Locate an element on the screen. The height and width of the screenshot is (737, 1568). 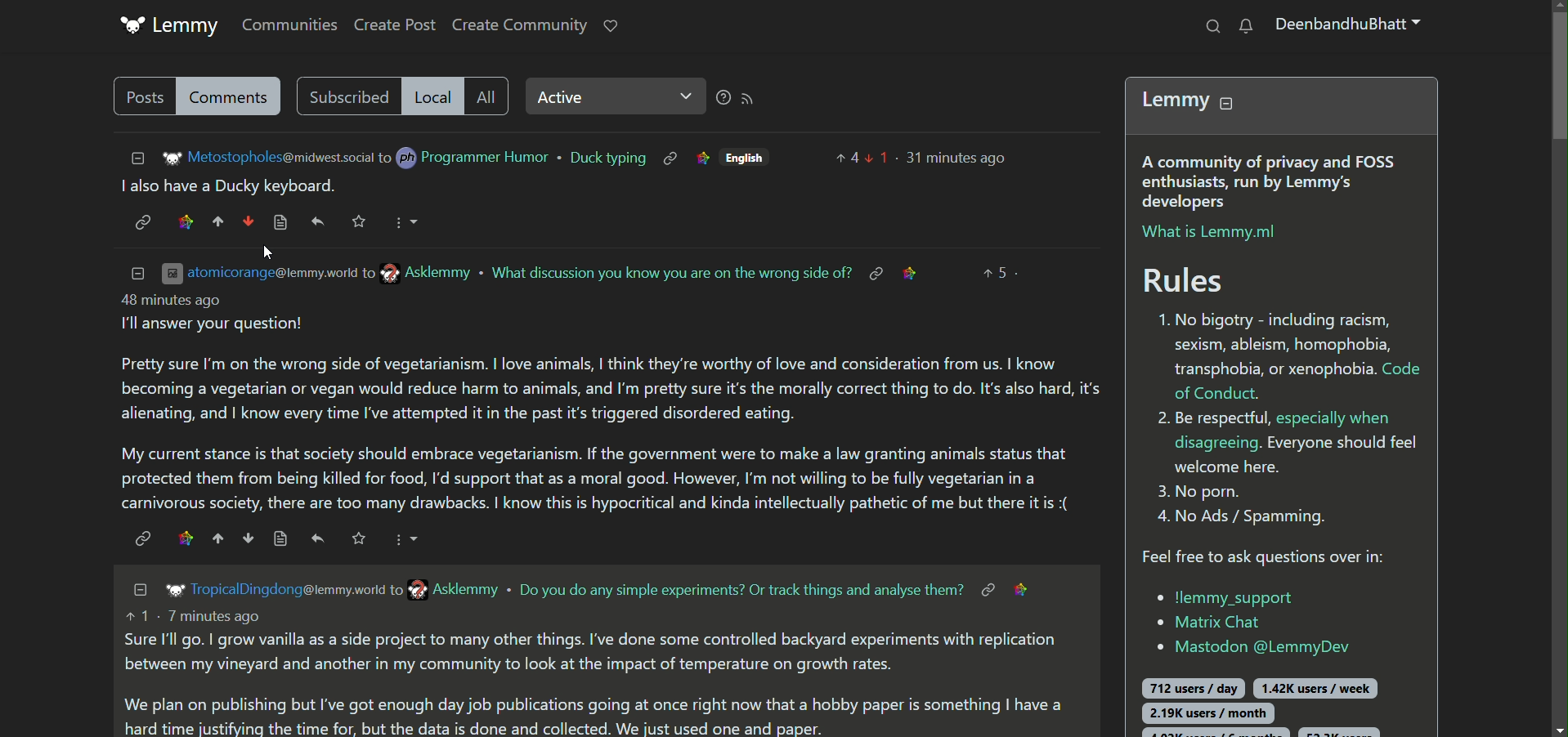
status is located at coordinates (610, 99).